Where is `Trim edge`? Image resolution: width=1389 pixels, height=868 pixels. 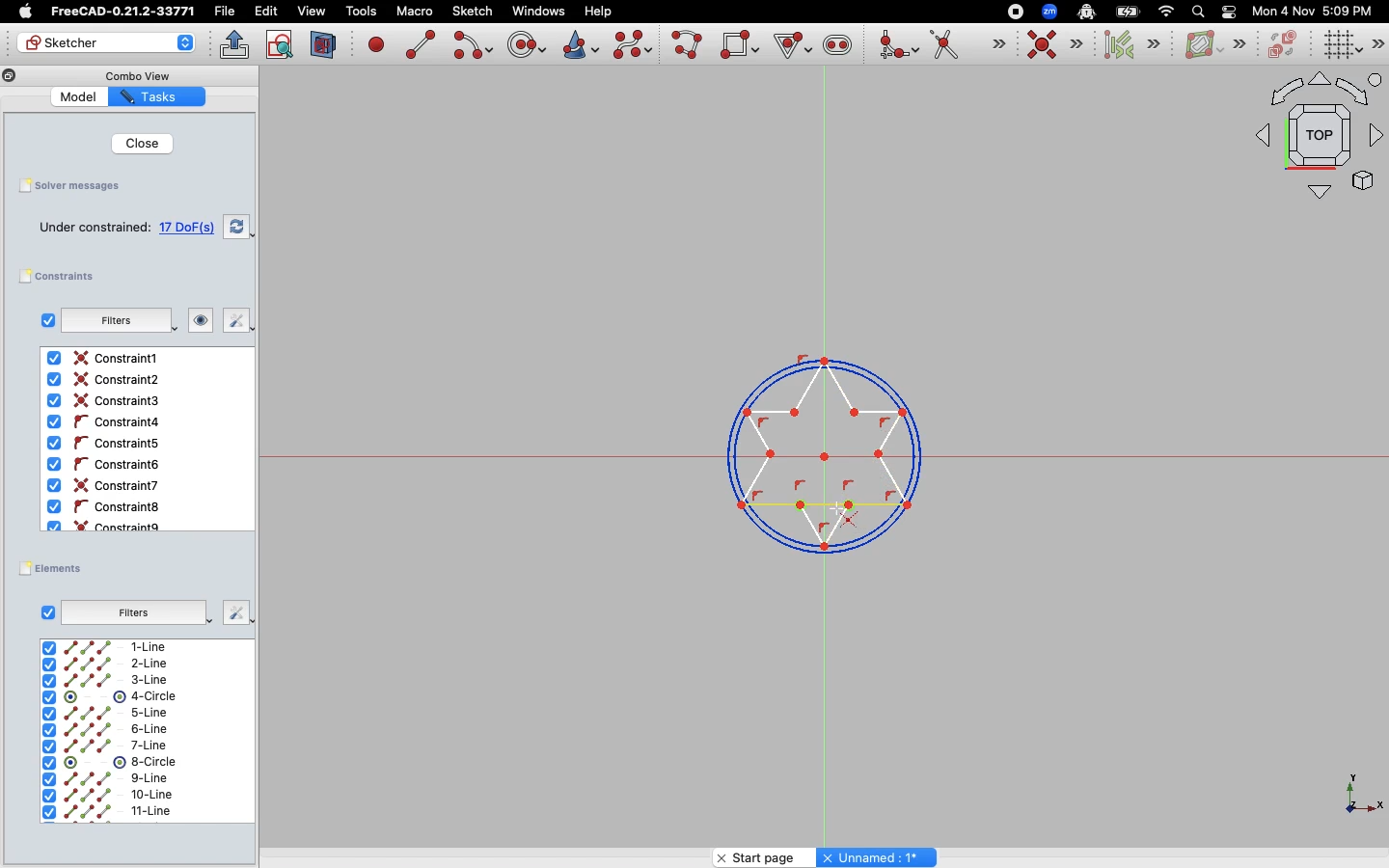 Trim edge is located at coordinates (967, 46).